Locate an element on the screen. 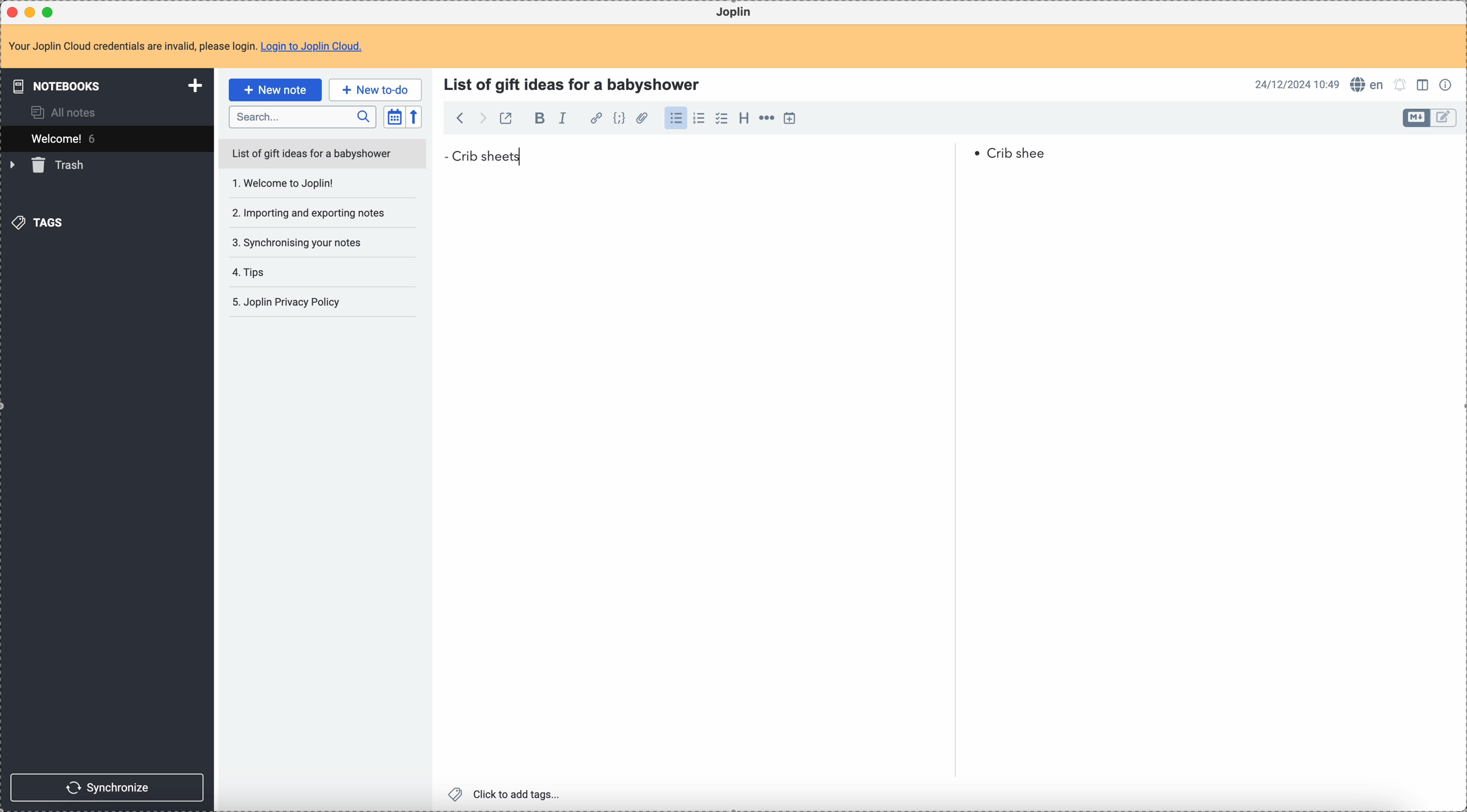 This screenshot has width=1467, height=812. toggle edit layout is located at coordinates (1444, 118).